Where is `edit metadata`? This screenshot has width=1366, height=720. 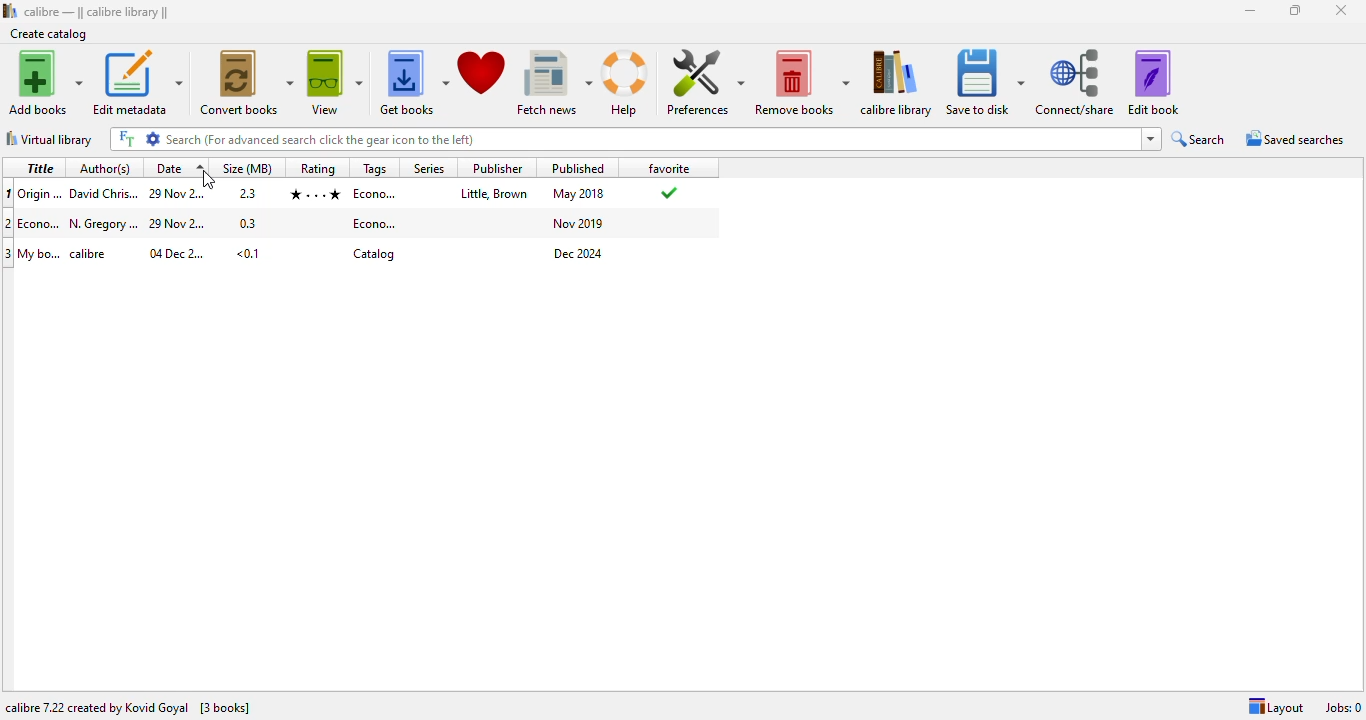
edit metadata is located at coordinates (139, 84).